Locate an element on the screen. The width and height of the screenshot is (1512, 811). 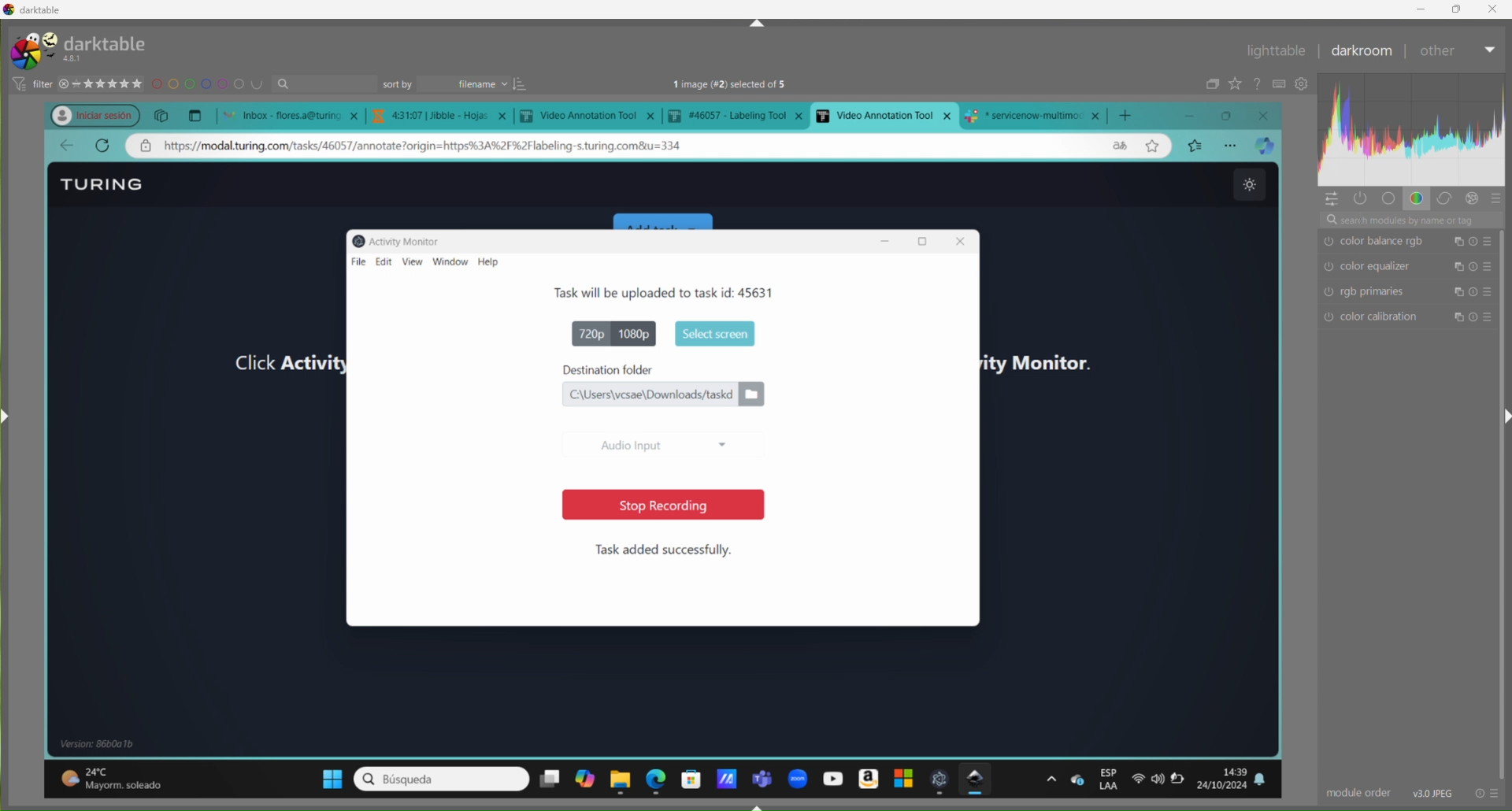
customization is located at coordinates (1412, 141).